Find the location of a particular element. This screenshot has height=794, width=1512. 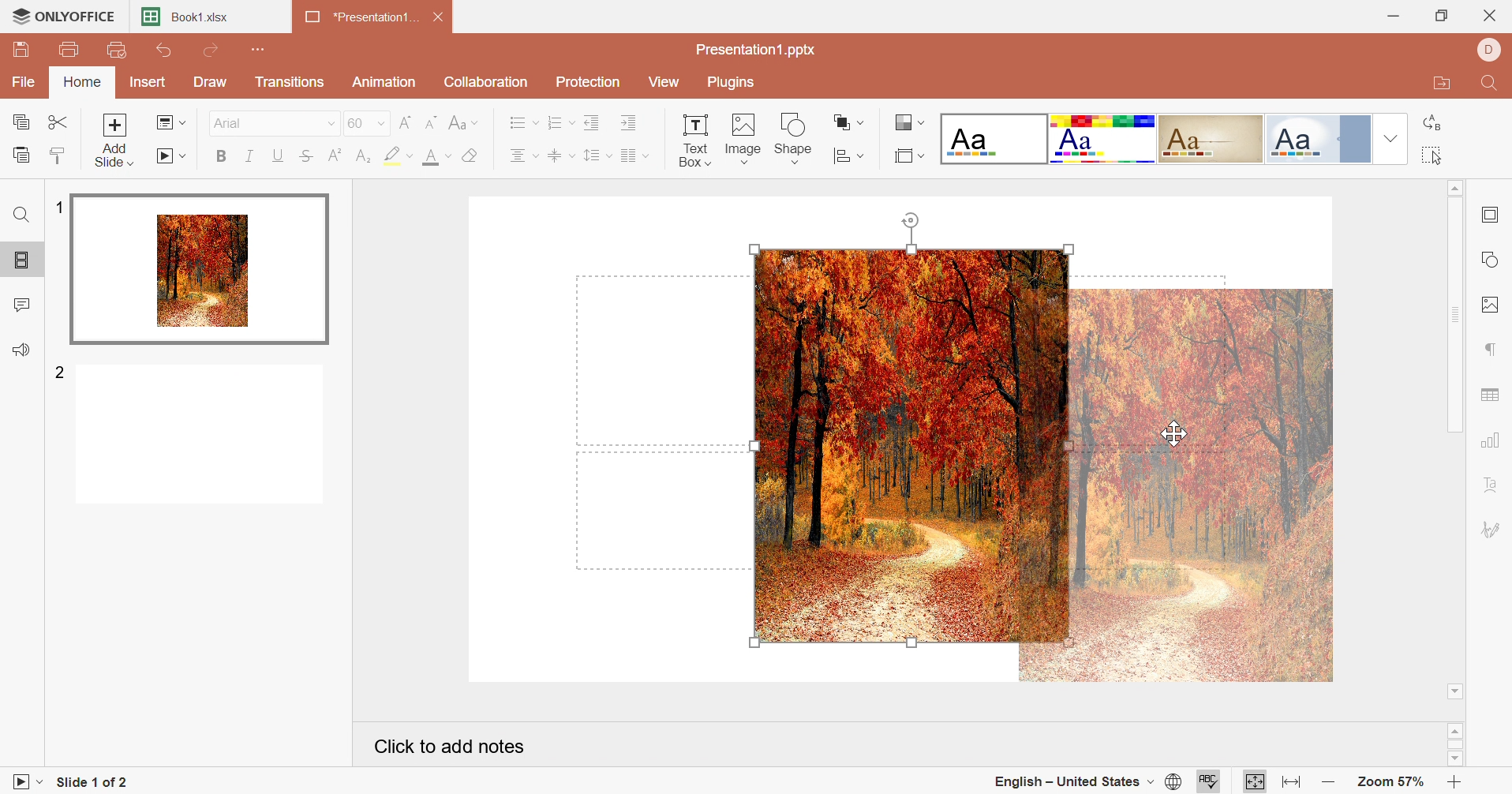

Chart settings is located at coordinates (1489, 440).